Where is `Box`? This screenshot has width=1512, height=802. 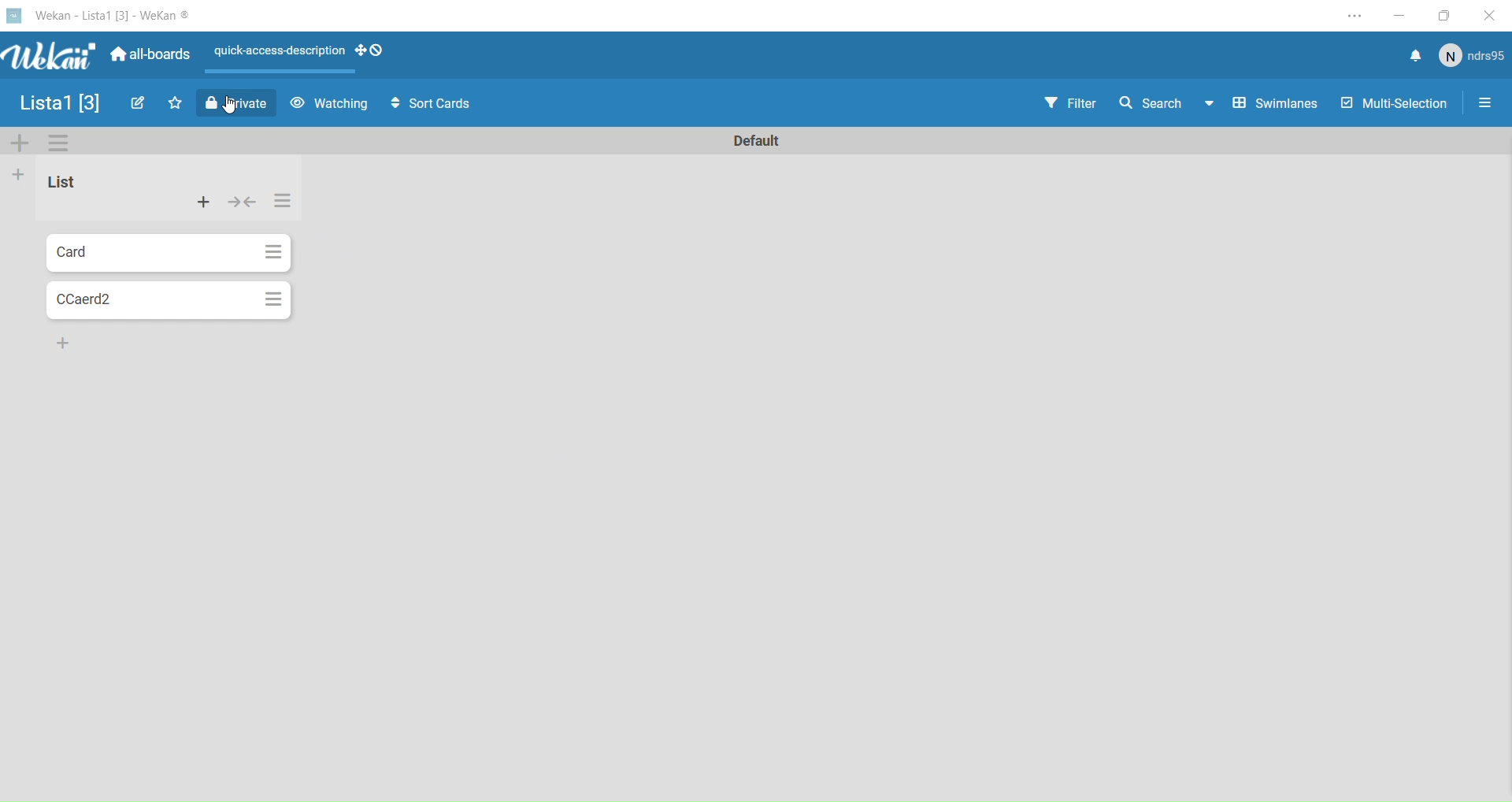
Box is located at coordinates (1442, 13).